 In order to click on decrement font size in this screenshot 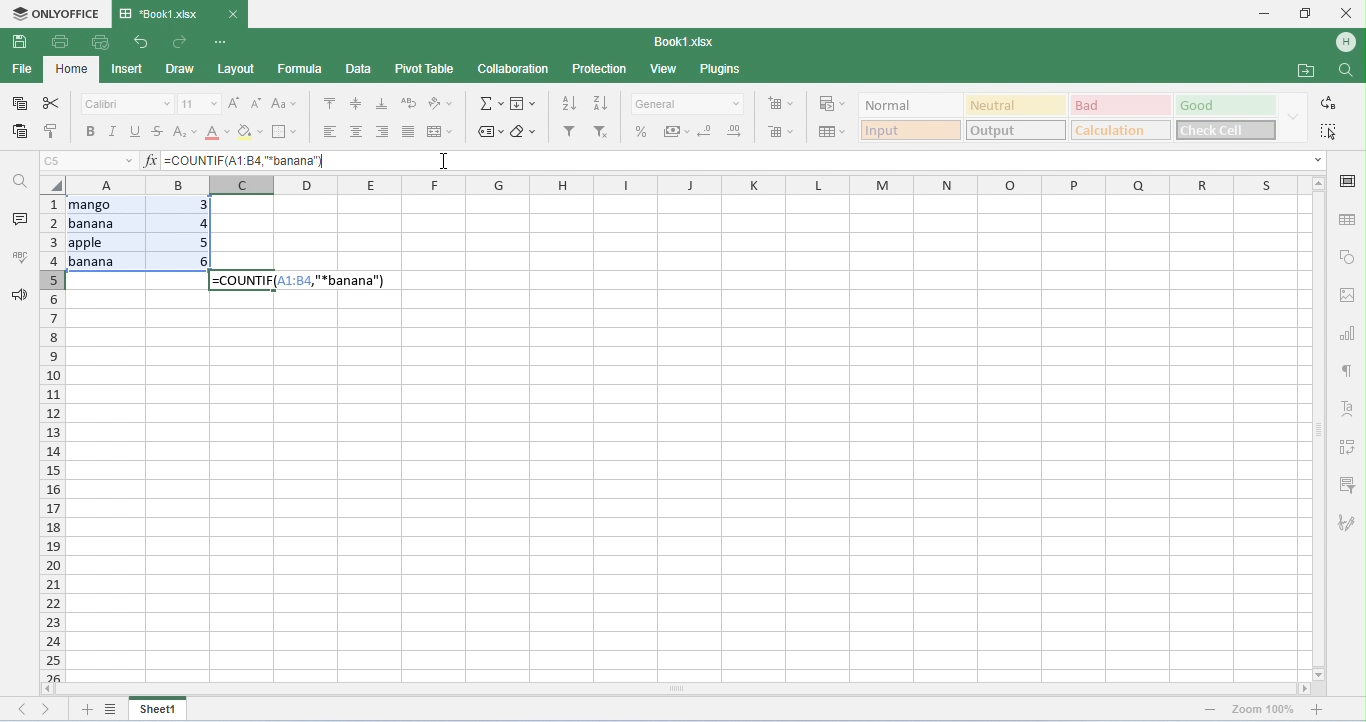, I will do `click(255, 104)`.